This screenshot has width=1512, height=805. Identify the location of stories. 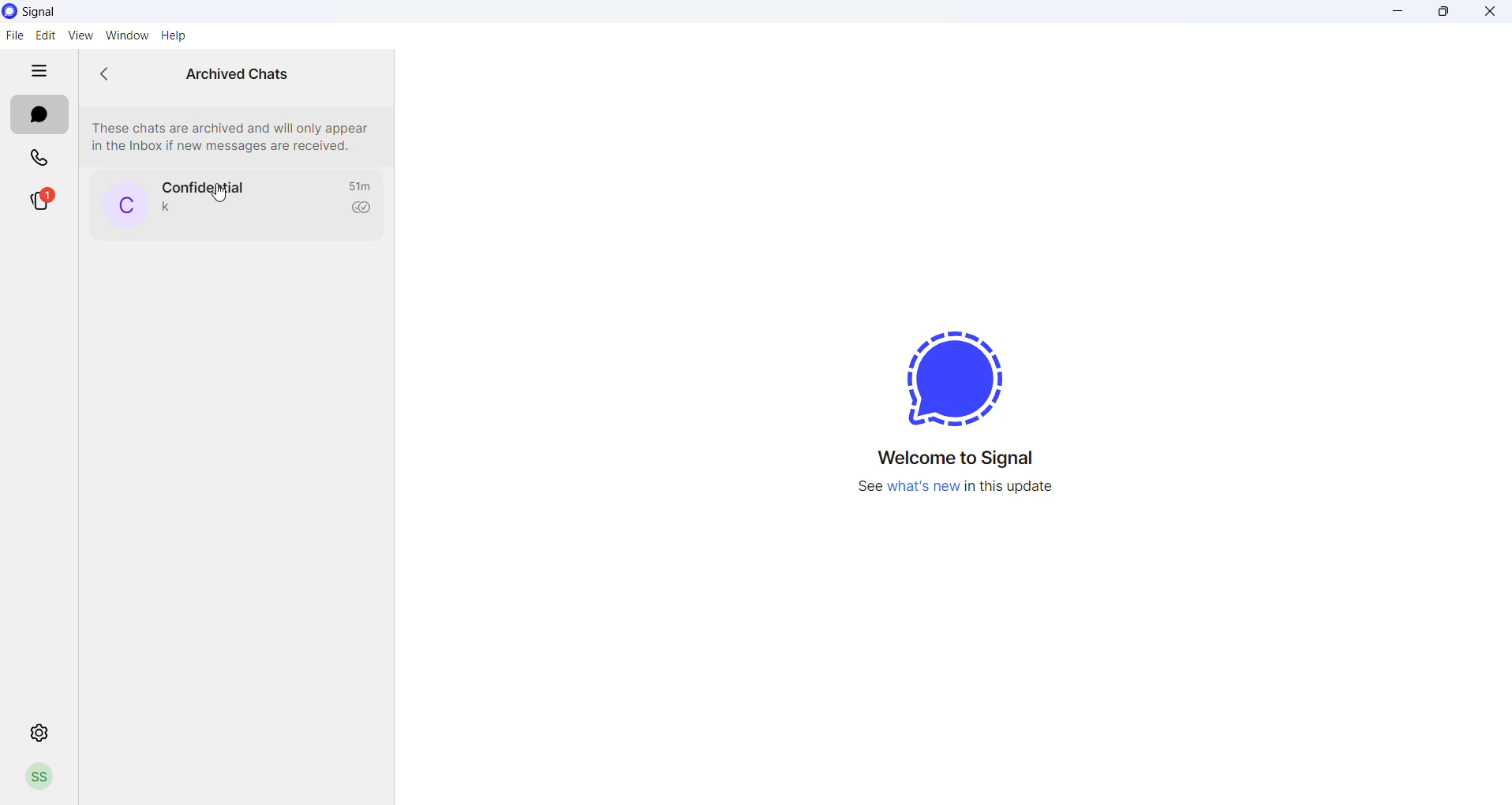
(39, 202).